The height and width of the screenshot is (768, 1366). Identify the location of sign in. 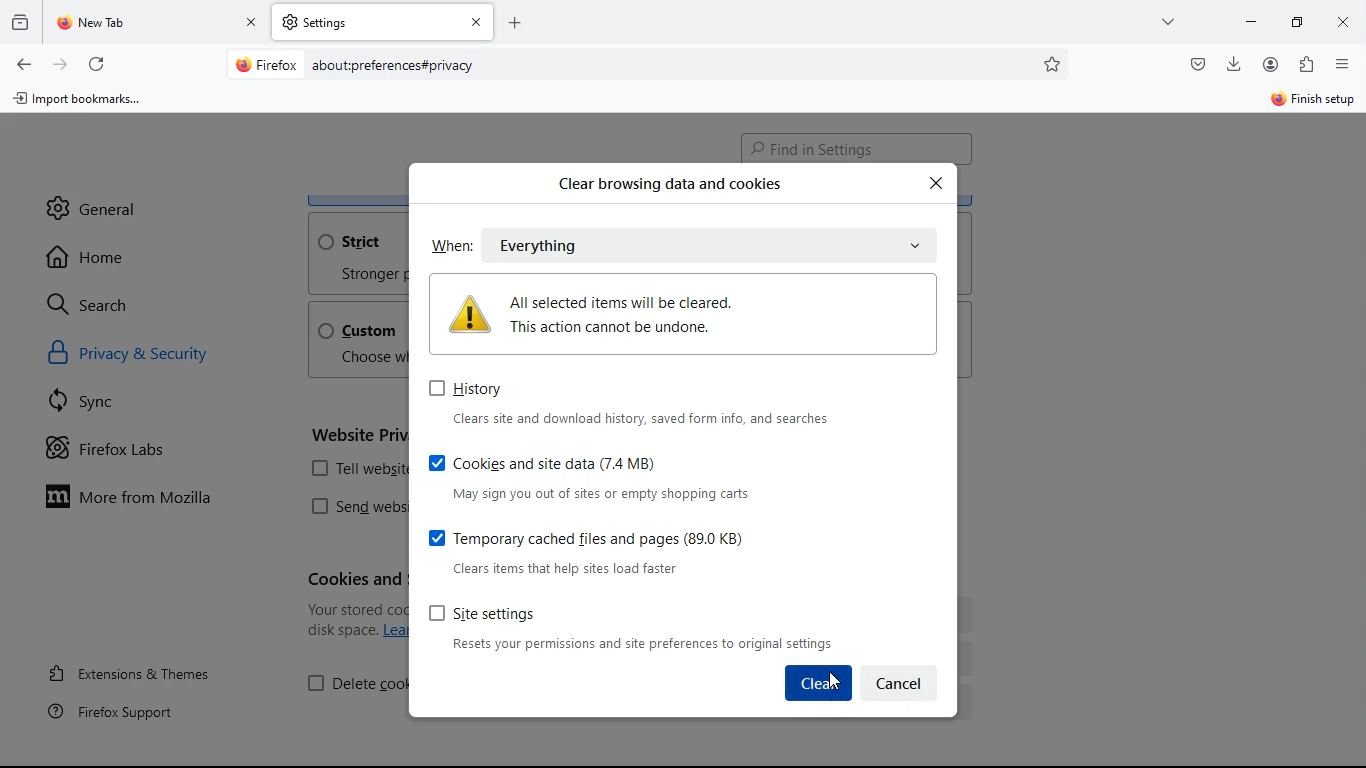
(1311, 101).